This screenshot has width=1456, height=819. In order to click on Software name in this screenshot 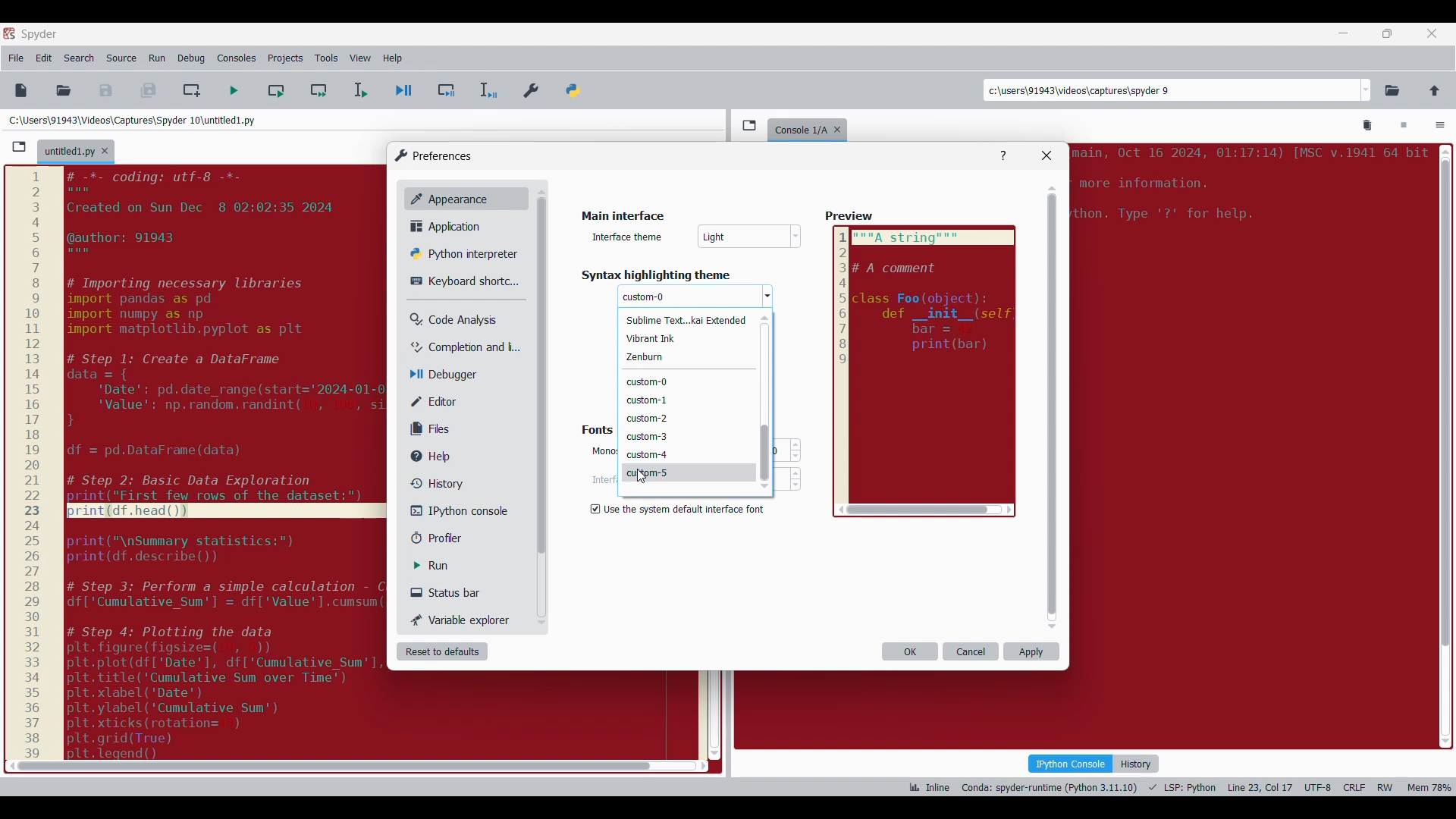, I will do `click(39, 34)`.